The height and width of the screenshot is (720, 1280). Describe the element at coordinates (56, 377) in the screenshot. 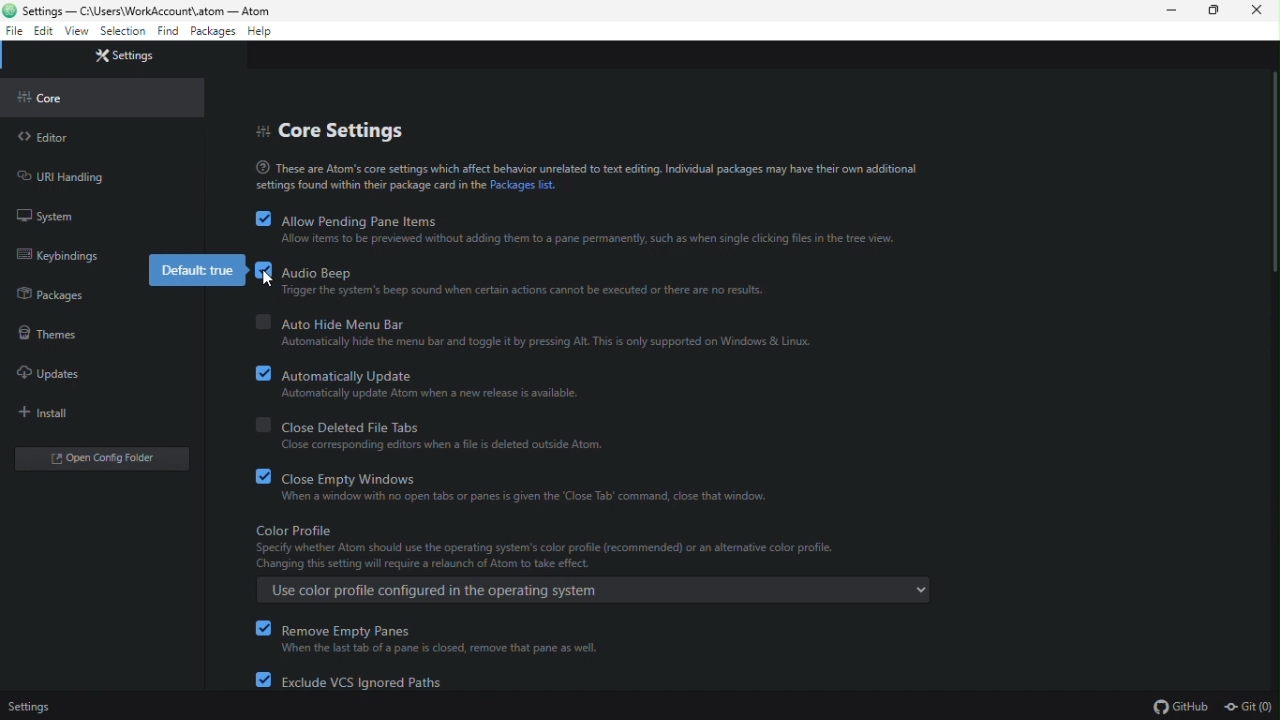

I see `uploads` at that location.